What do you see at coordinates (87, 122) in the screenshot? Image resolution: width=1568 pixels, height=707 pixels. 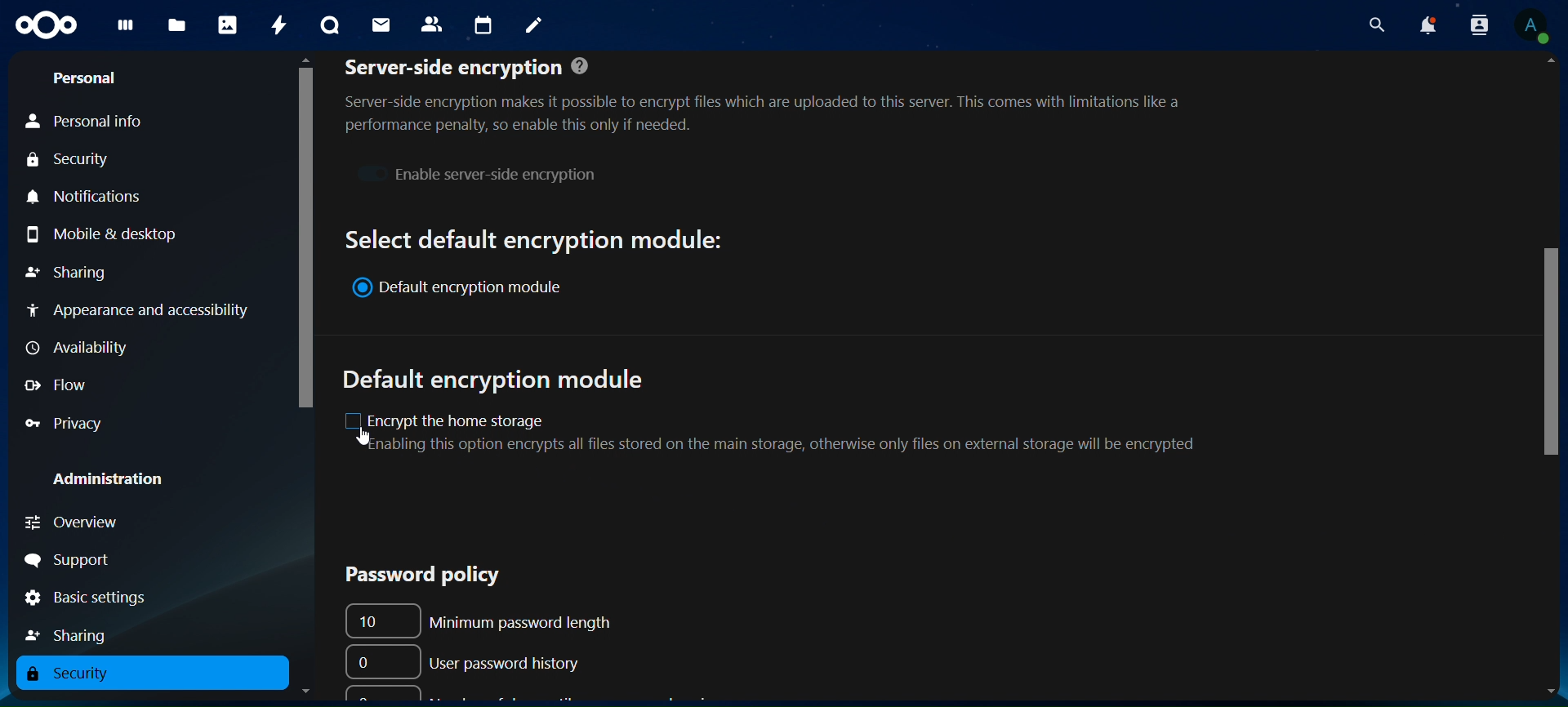 I see `personal info` at bounding box center [87, 122].